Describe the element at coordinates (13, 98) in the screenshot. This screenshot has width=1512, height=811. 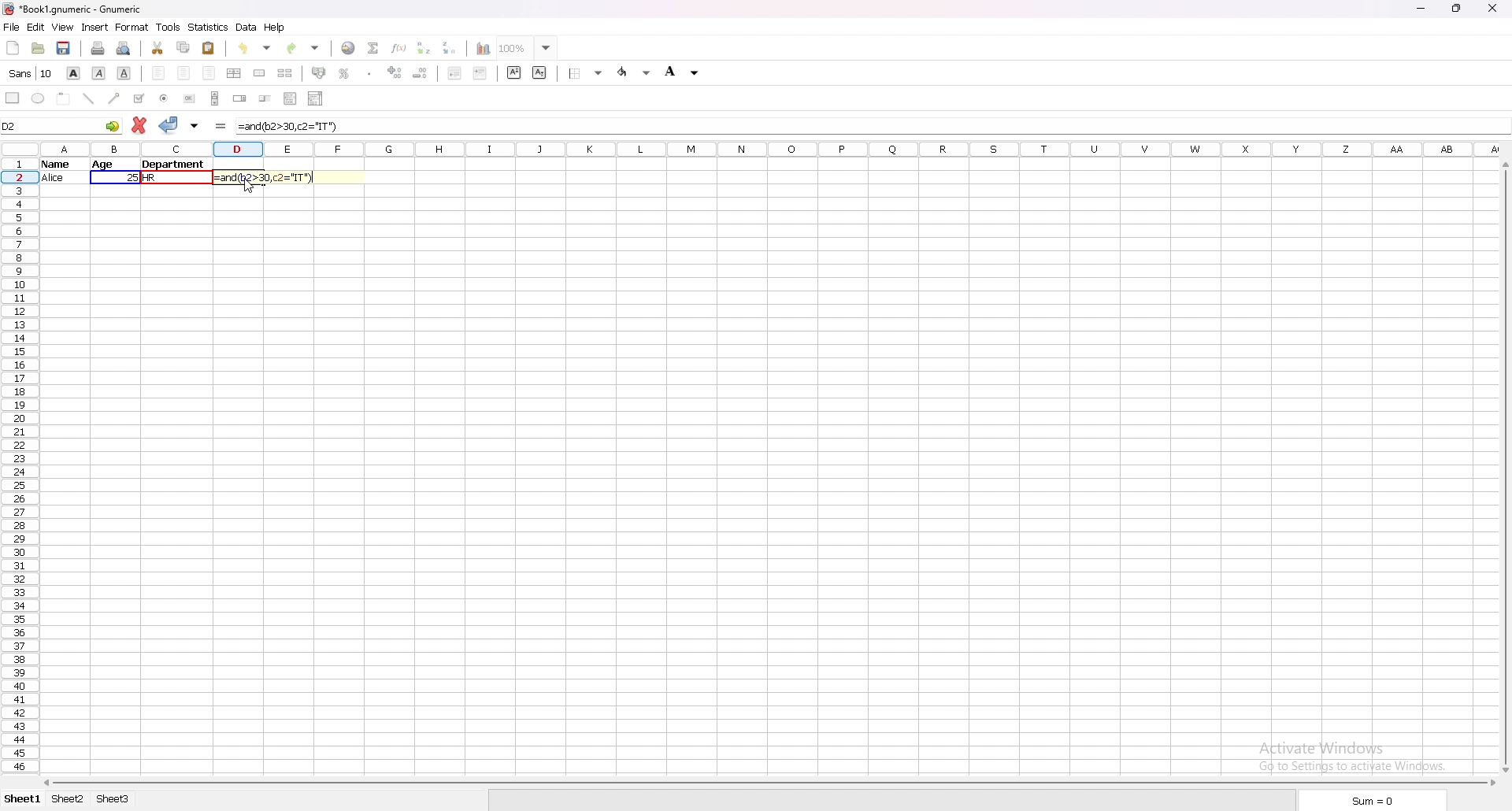
I see `rectangle` at that location.